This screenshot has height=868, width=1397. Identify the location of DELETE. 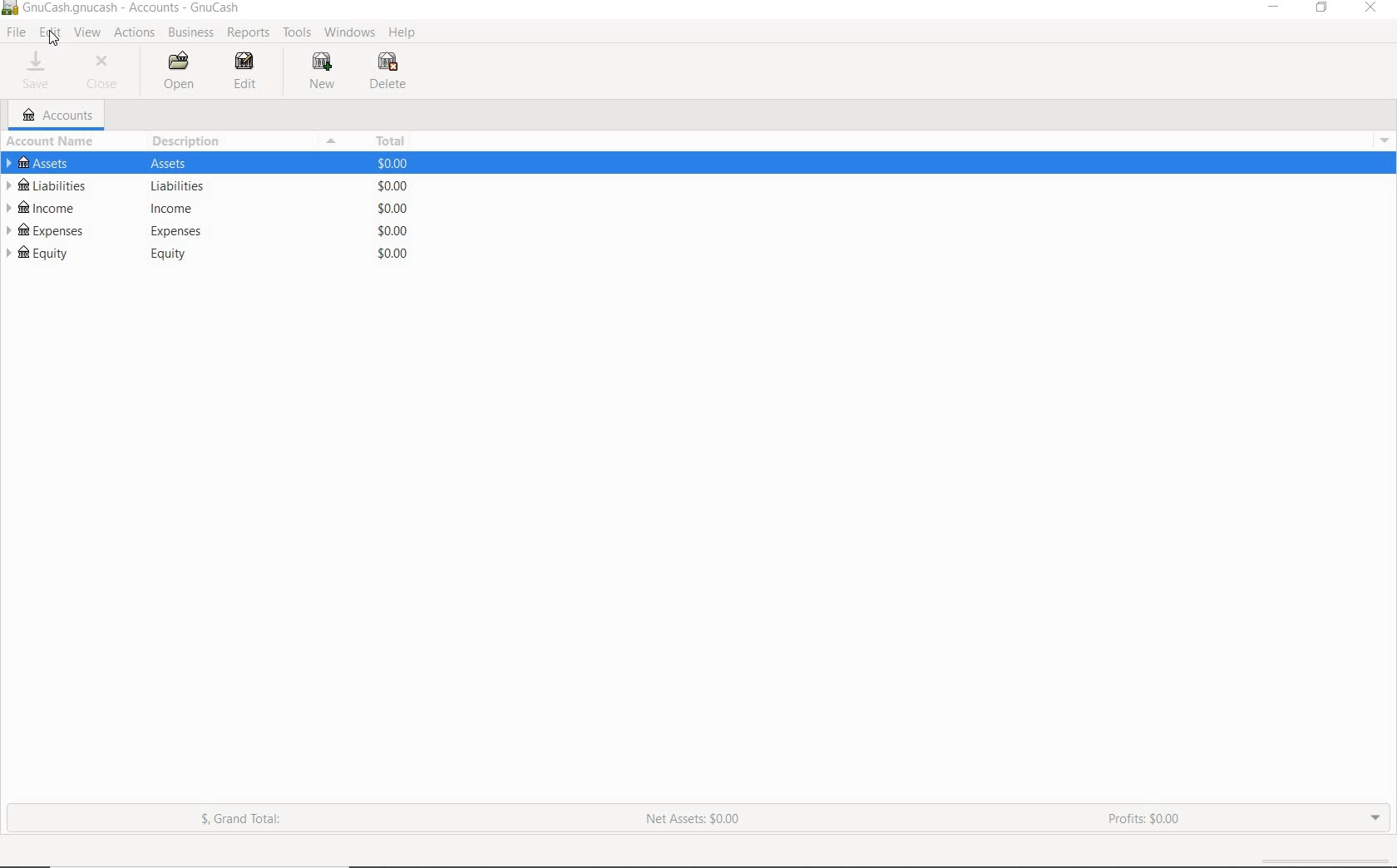
(388, 71).